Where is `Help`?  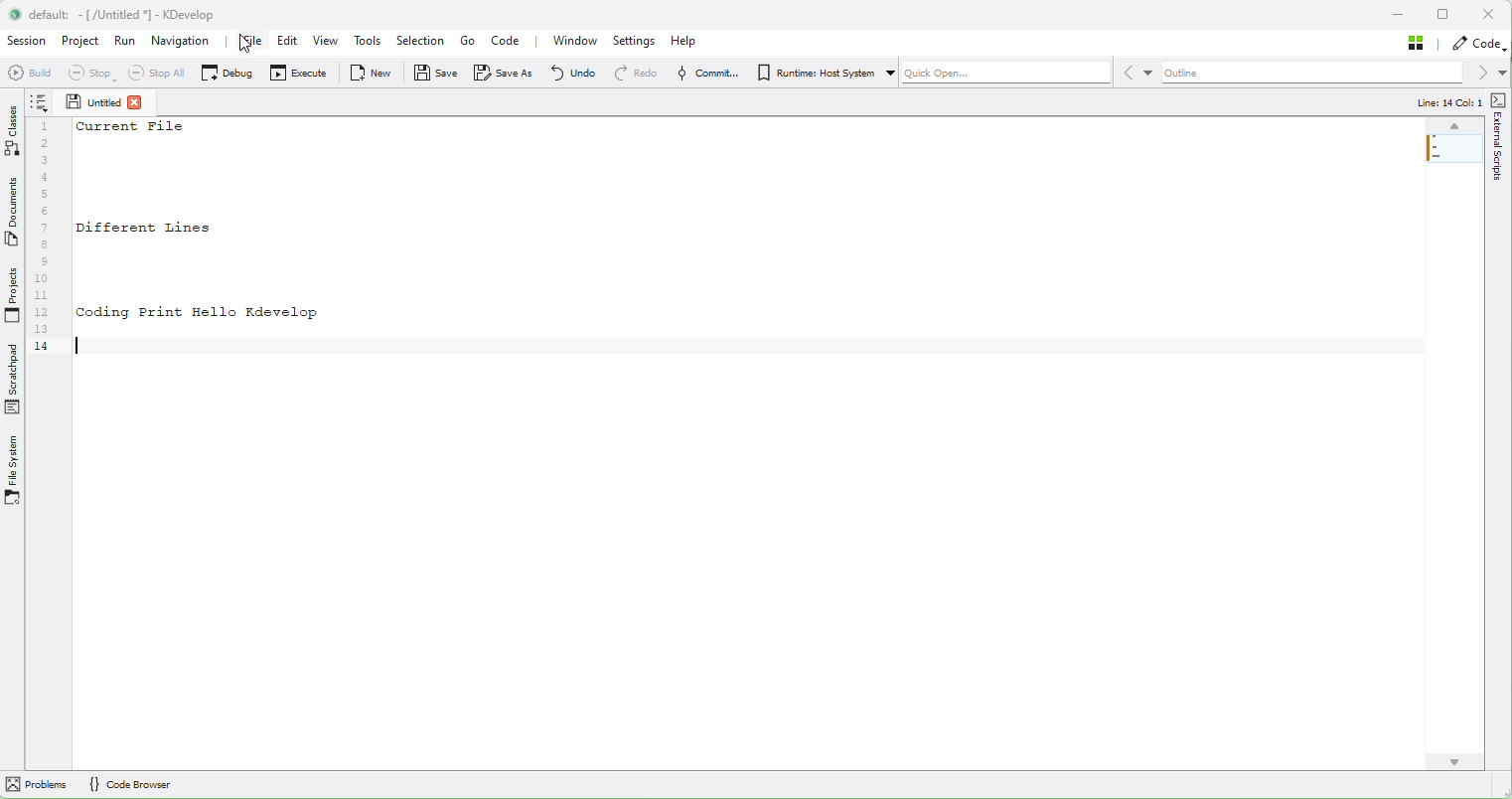 Help is located at coordinates (686, 41).